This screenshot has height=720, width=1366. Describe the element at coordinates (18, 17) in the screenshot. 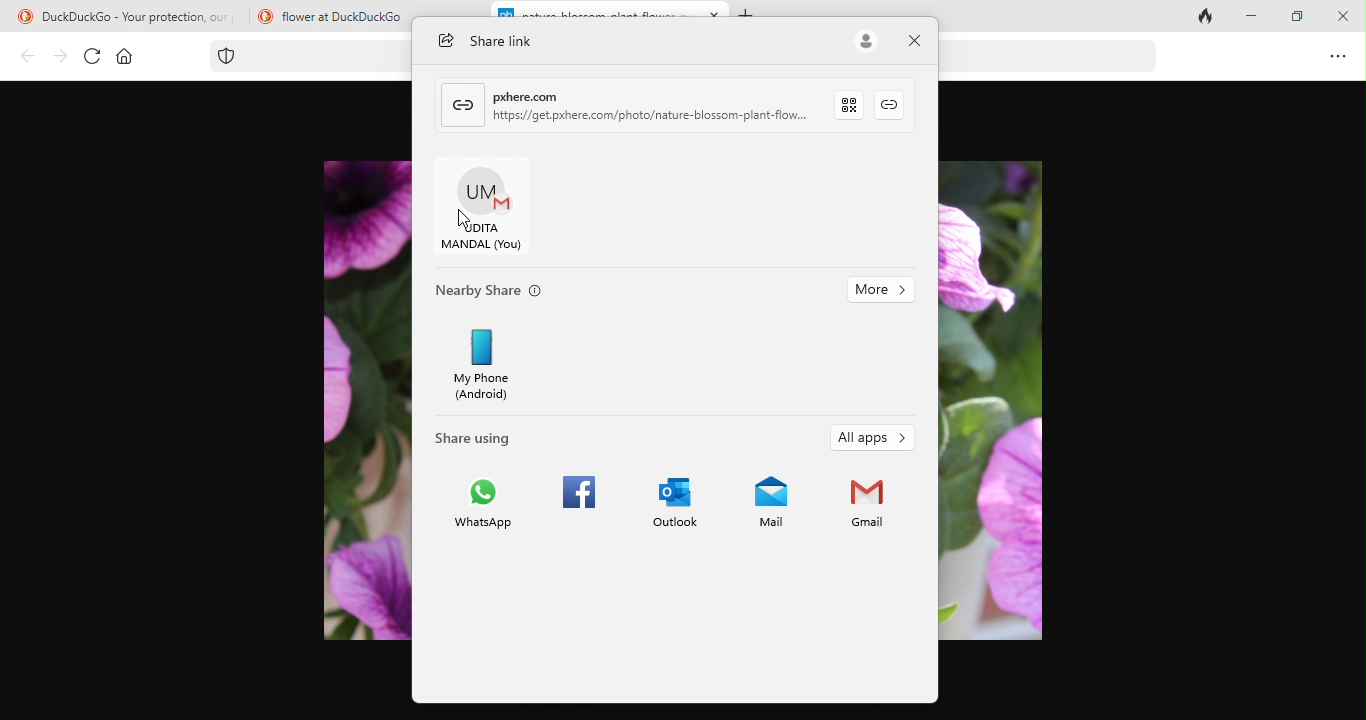

I see `duckduck go logo` at that location.